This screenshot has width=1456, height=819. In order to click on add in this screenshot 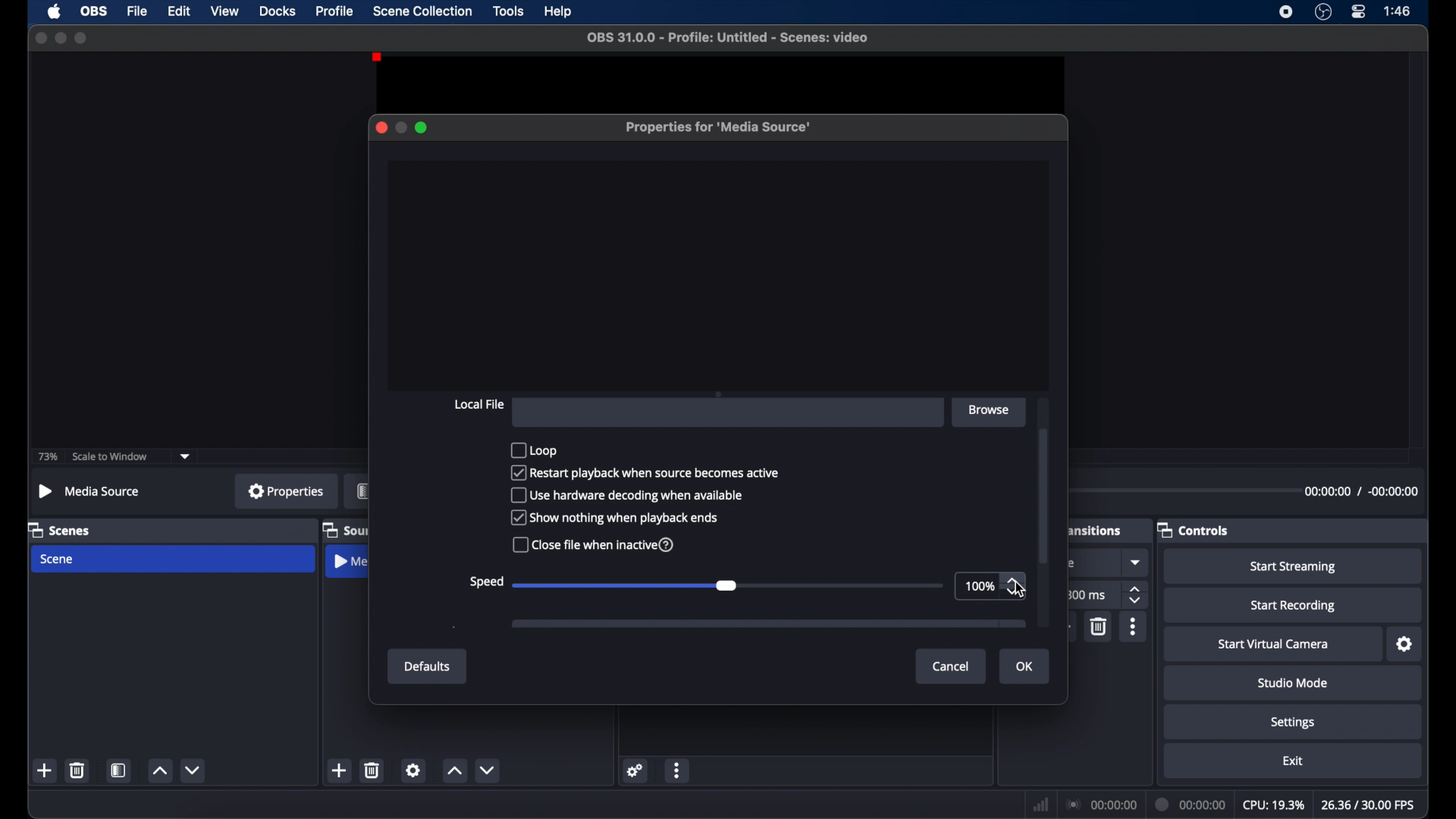, I will do `click(338, 770)`.